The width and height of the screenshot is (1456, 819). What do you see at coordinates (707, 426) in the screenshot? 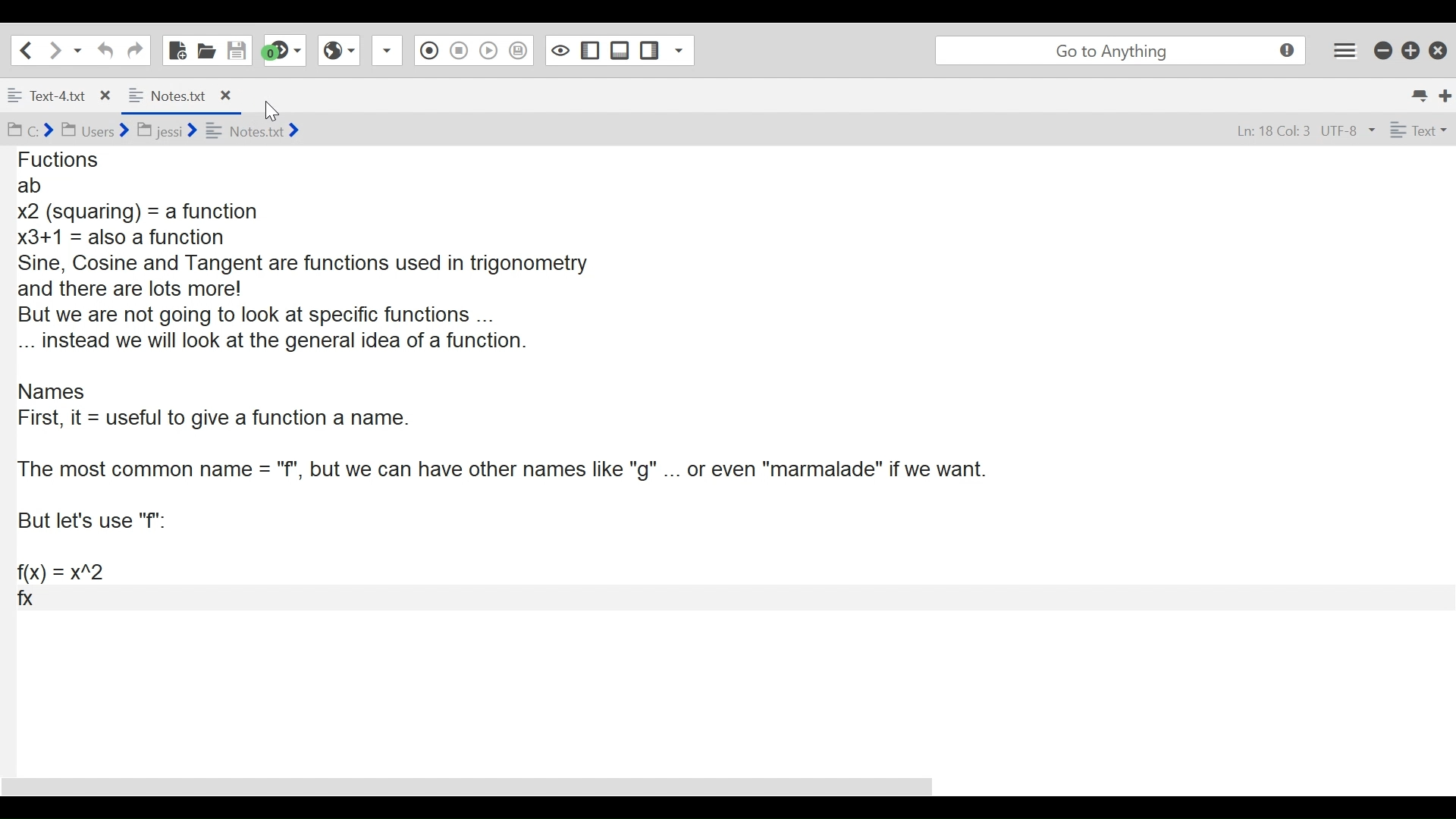
I see `code block` at bounding box center [707, 426].